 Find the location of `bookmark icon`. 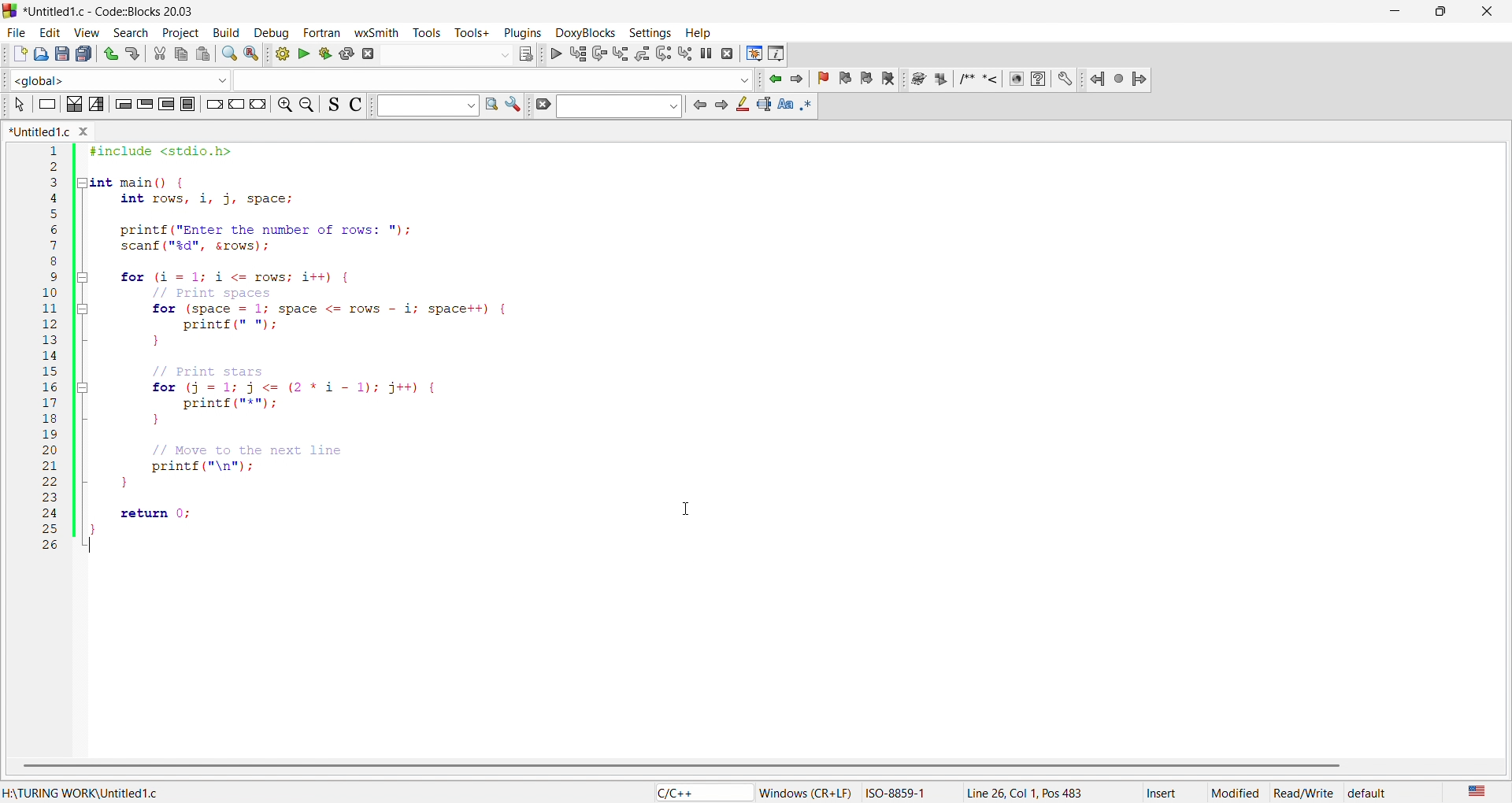

bookmark icon is located at coordinates (850, 80).